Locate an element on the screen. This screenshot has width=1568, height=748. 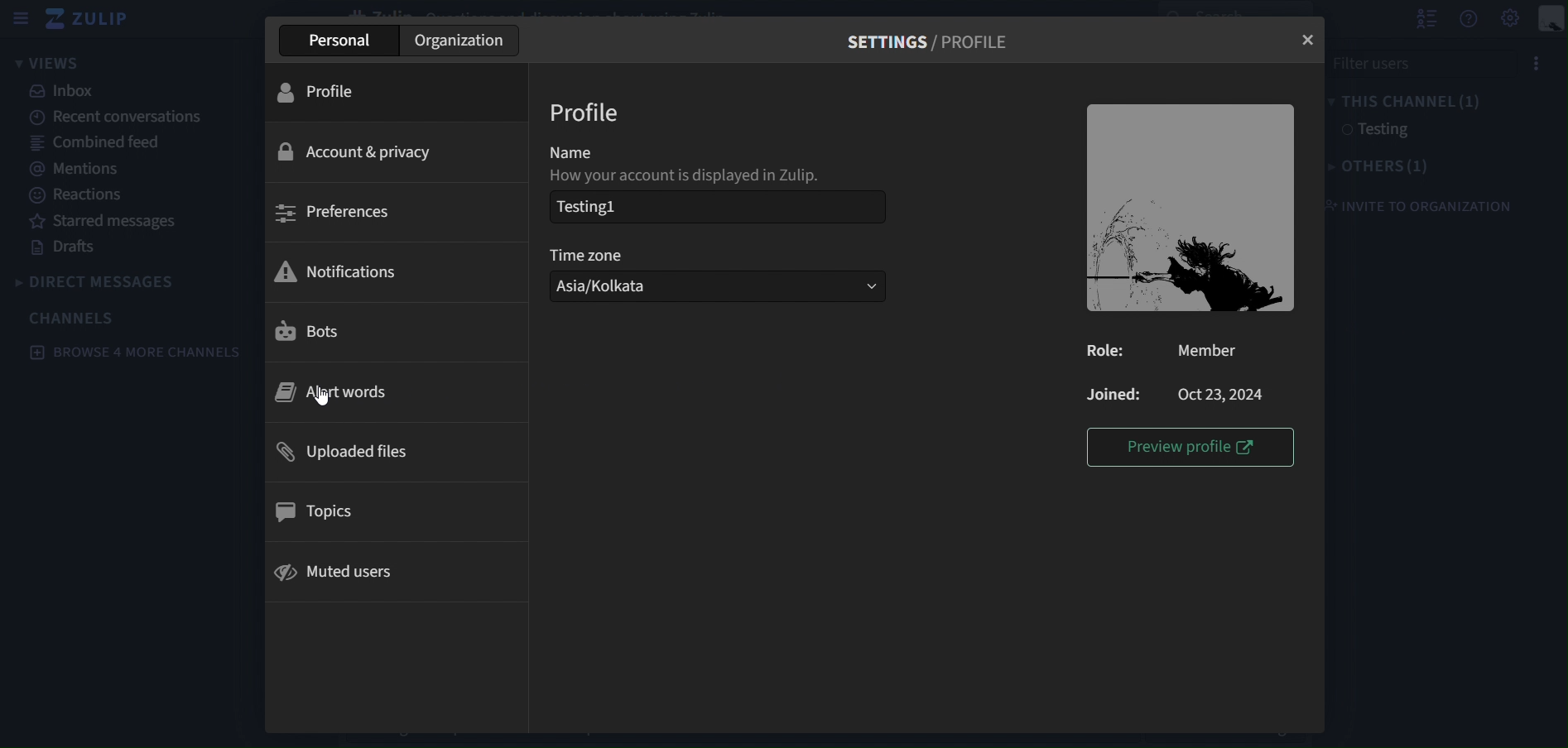
get help is located at coordinates (1468, 19).